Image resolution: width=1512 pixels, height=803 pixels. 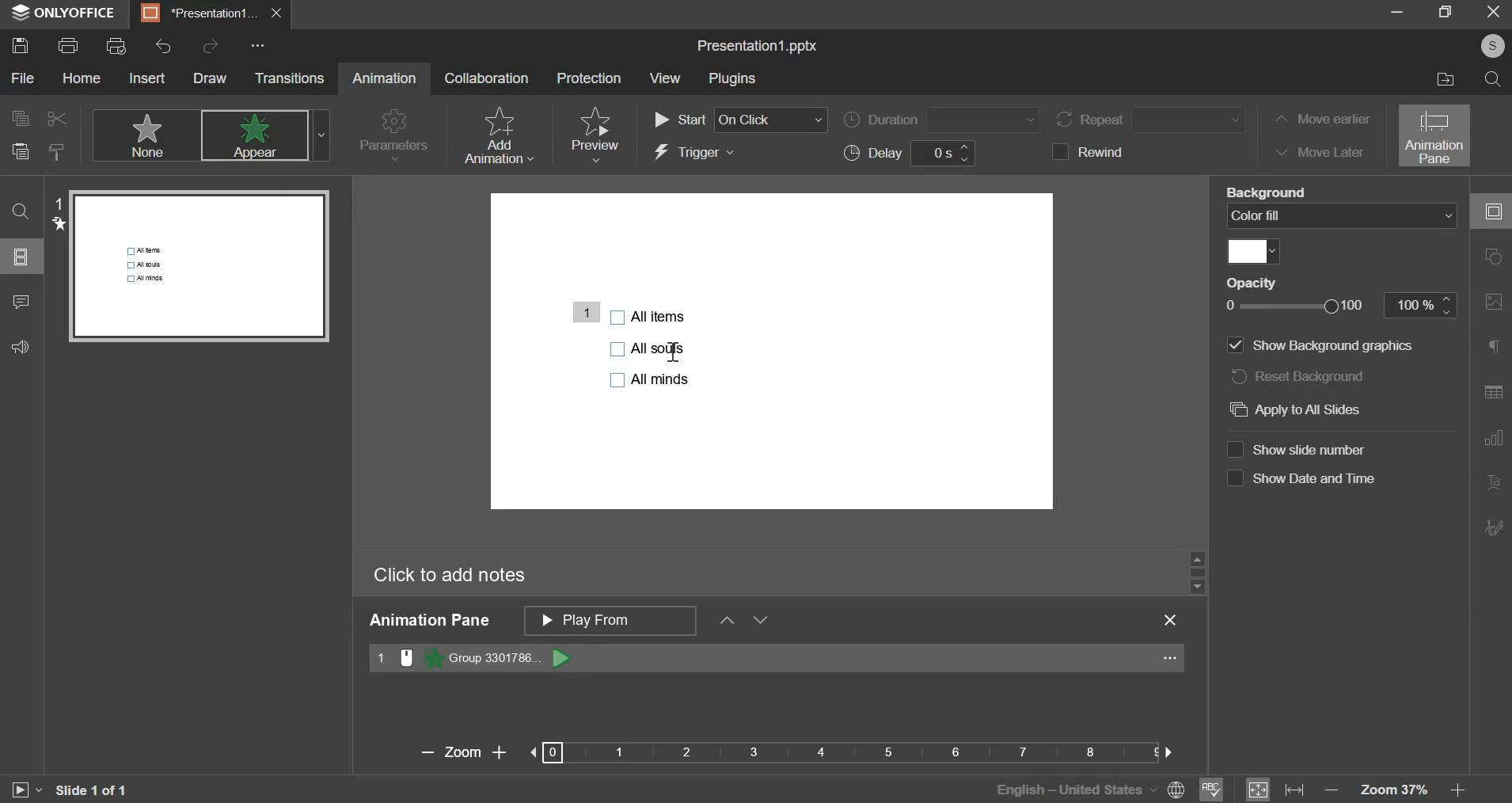 What do you see at coordinates (1196, 571) in the screenshot?
I see `slider` at bounding box center [1196, 571].